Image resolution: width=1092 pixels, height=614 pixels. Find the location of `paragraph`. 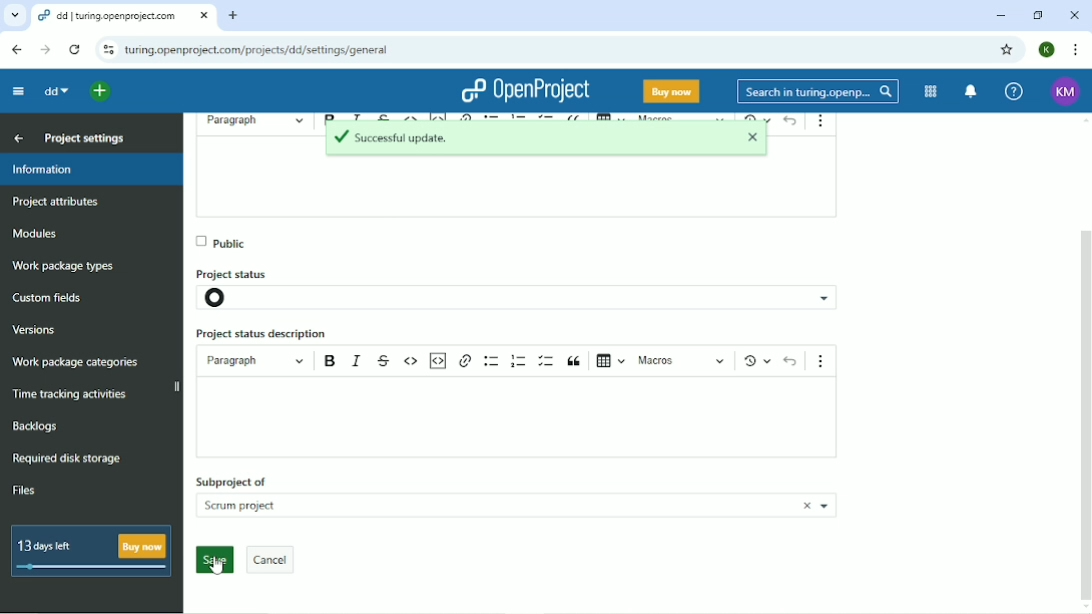

paragraph is located at coordinates (255, 360).